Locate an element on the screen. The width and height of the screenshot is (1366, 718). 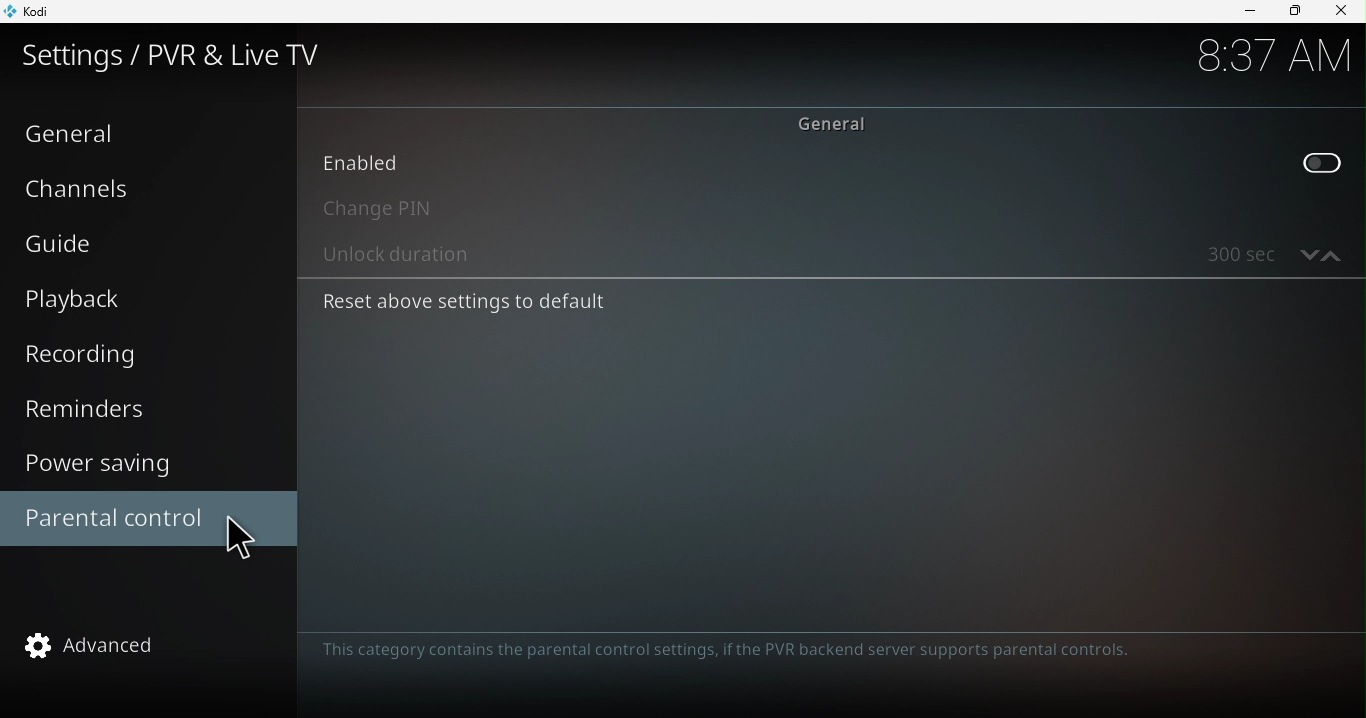
close is located at coordinates (1344, 13).